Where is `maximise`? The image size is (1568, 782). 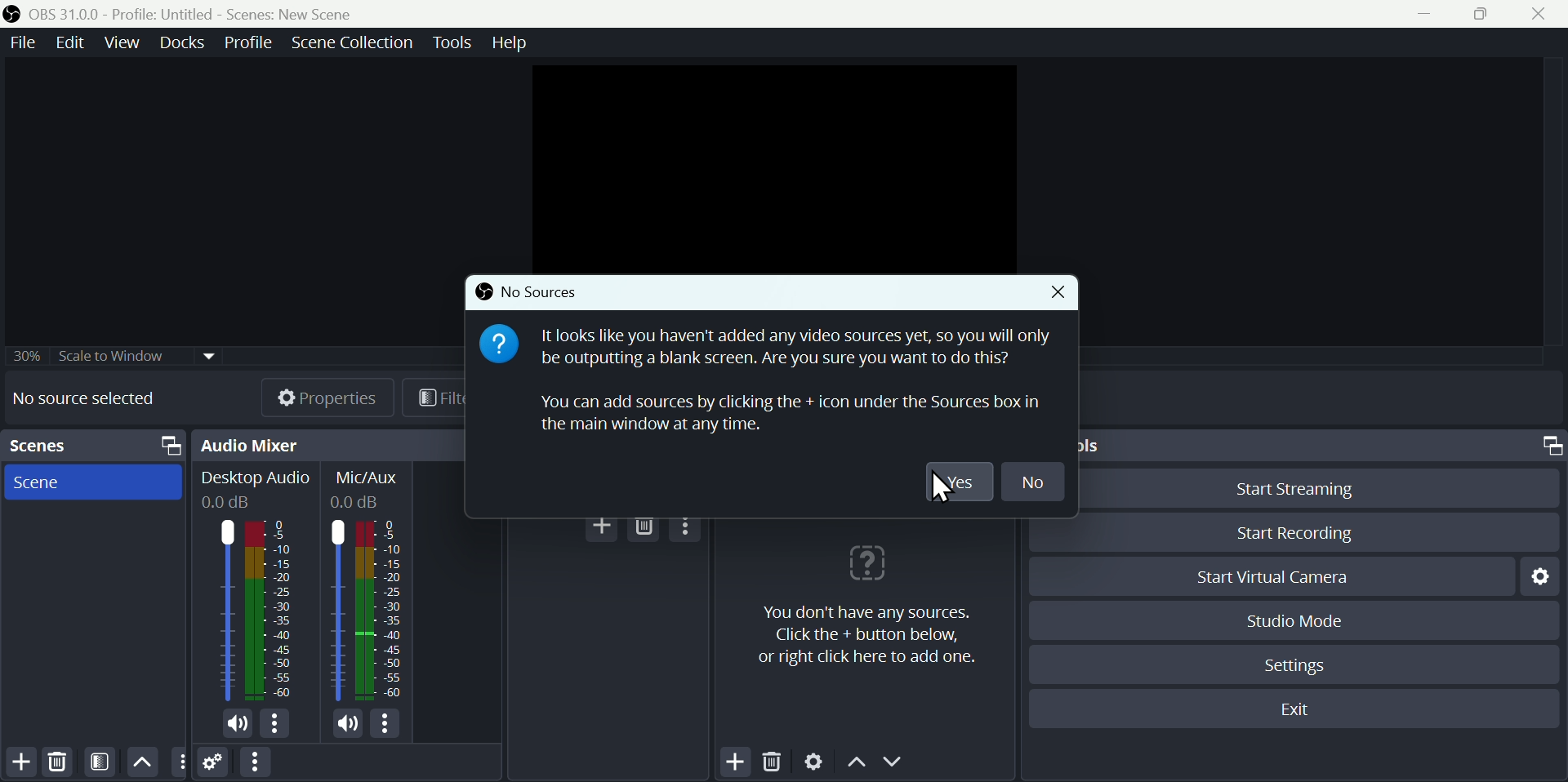
maximise is located at coordinates (1480, 14).